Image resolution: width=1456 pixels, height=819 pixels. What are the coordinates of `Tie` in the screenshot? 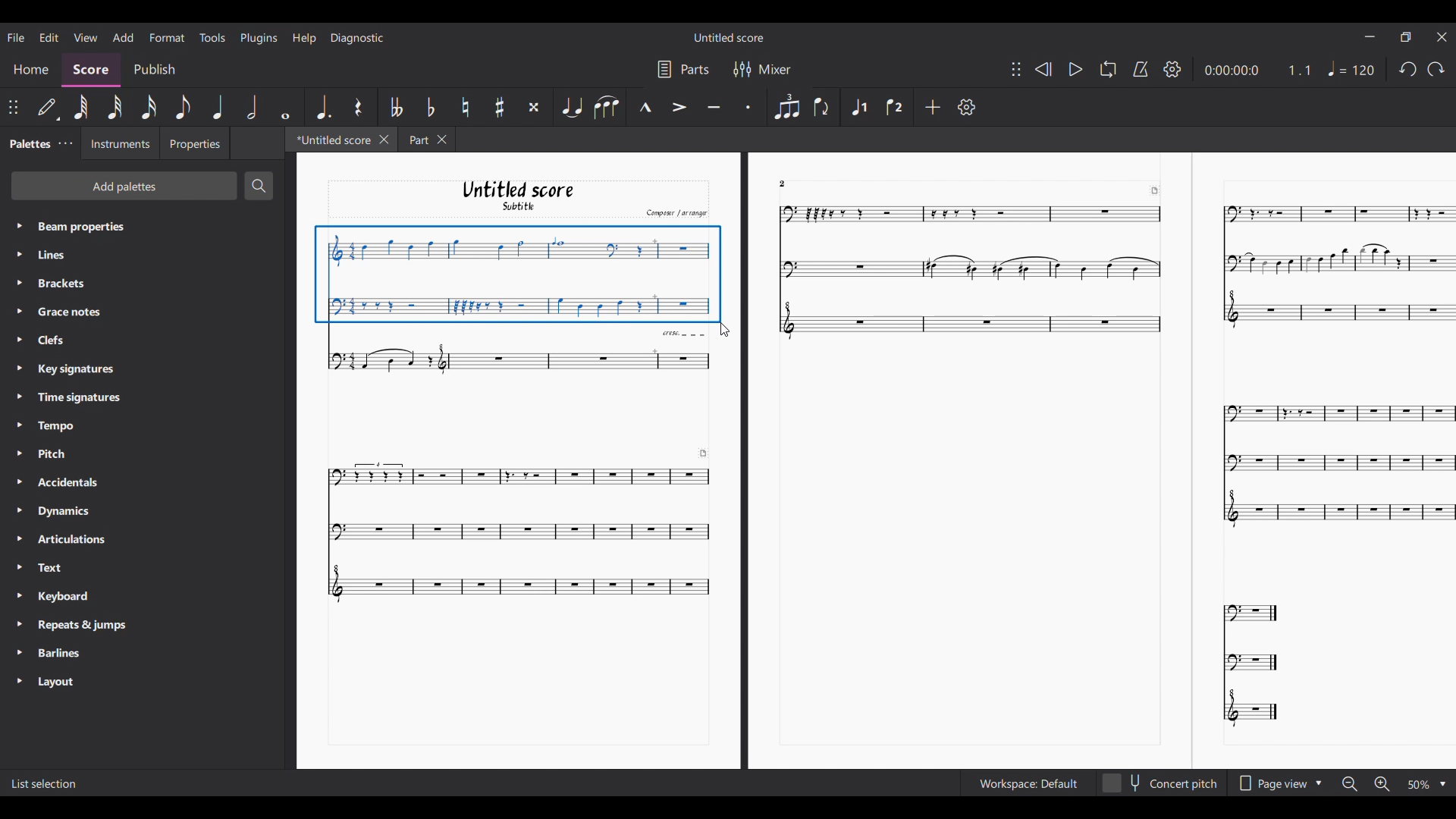 It's located at (571, 107).